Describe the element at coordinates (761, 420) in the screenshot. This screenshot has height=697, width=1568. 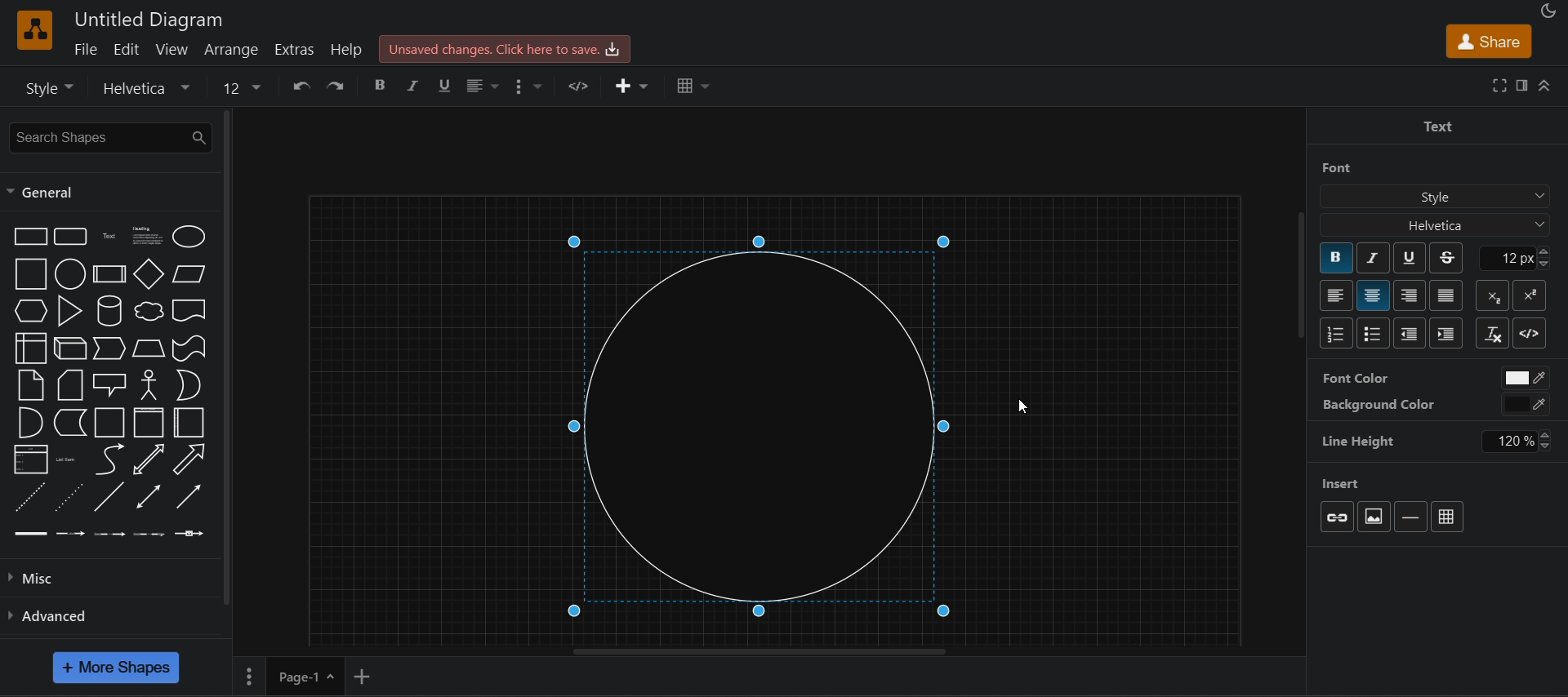
I see `circle` at that location.